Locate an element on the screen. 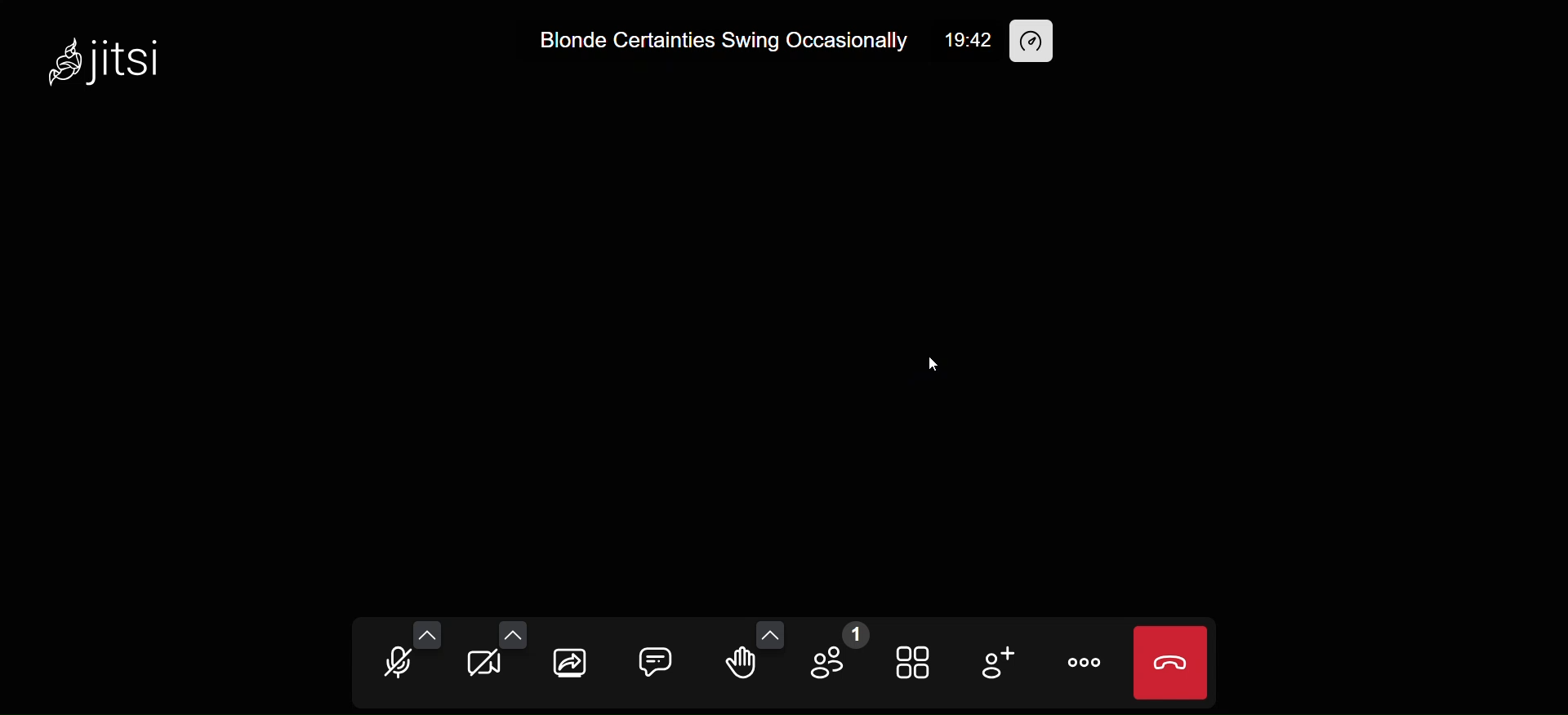 This screenshot has height=715, width=1568. screen share is located at coordinates (572, 661).